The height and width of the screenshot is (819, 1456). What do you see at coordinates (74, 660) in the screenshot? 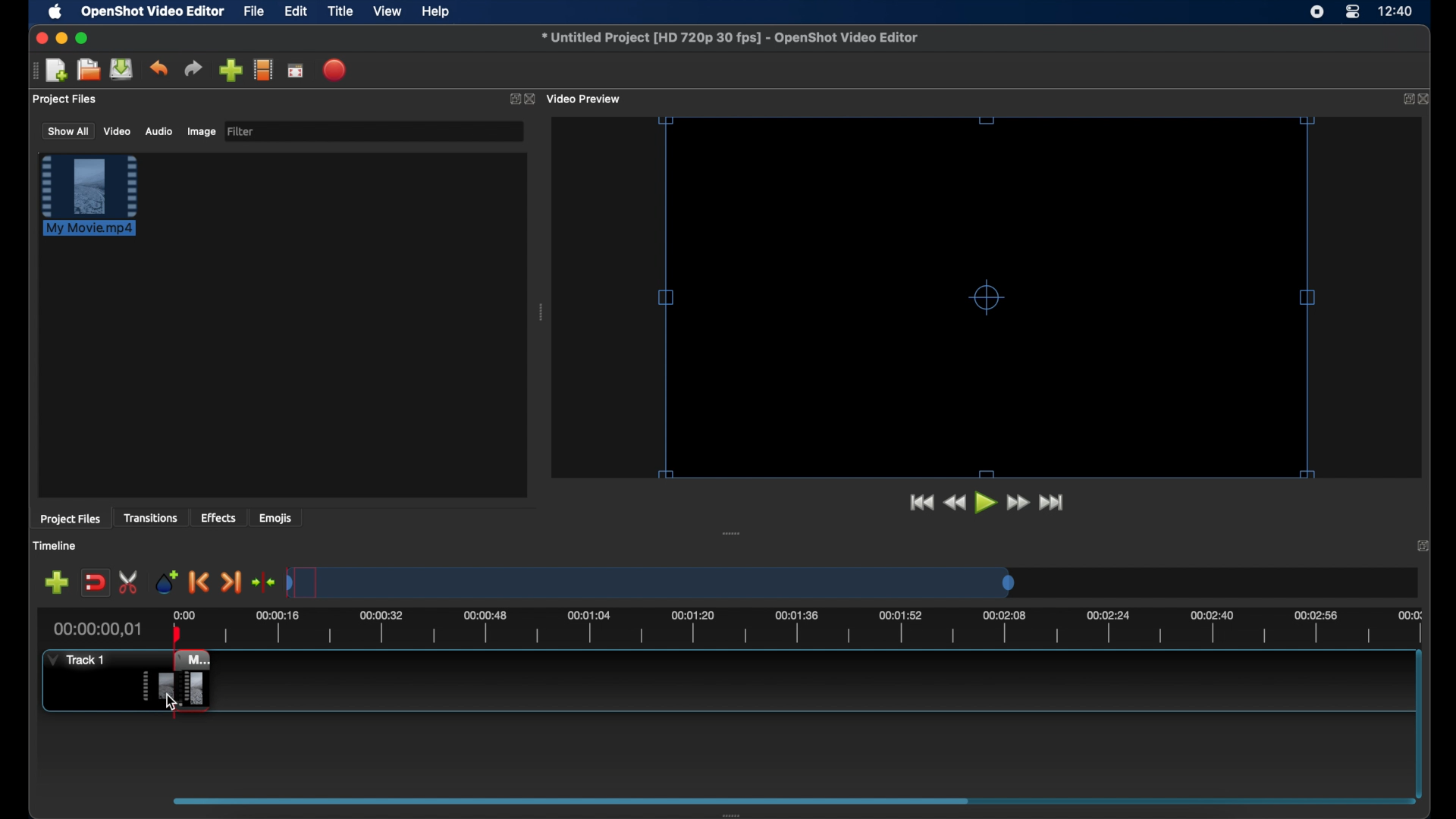
I see `track 1` at bounding box center [74, 660].